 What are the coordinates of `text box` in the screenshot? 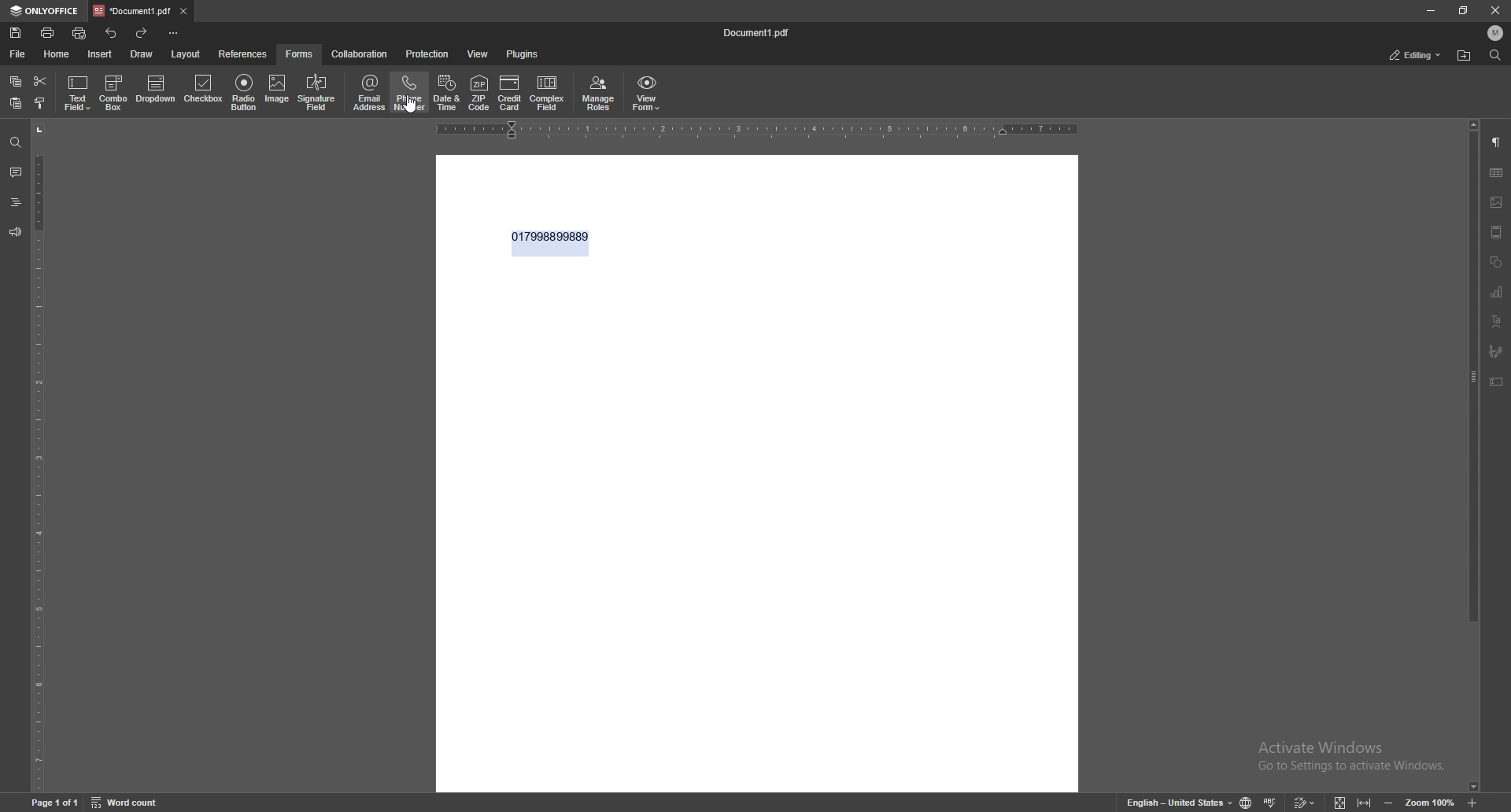 It's located at (1495, 382).